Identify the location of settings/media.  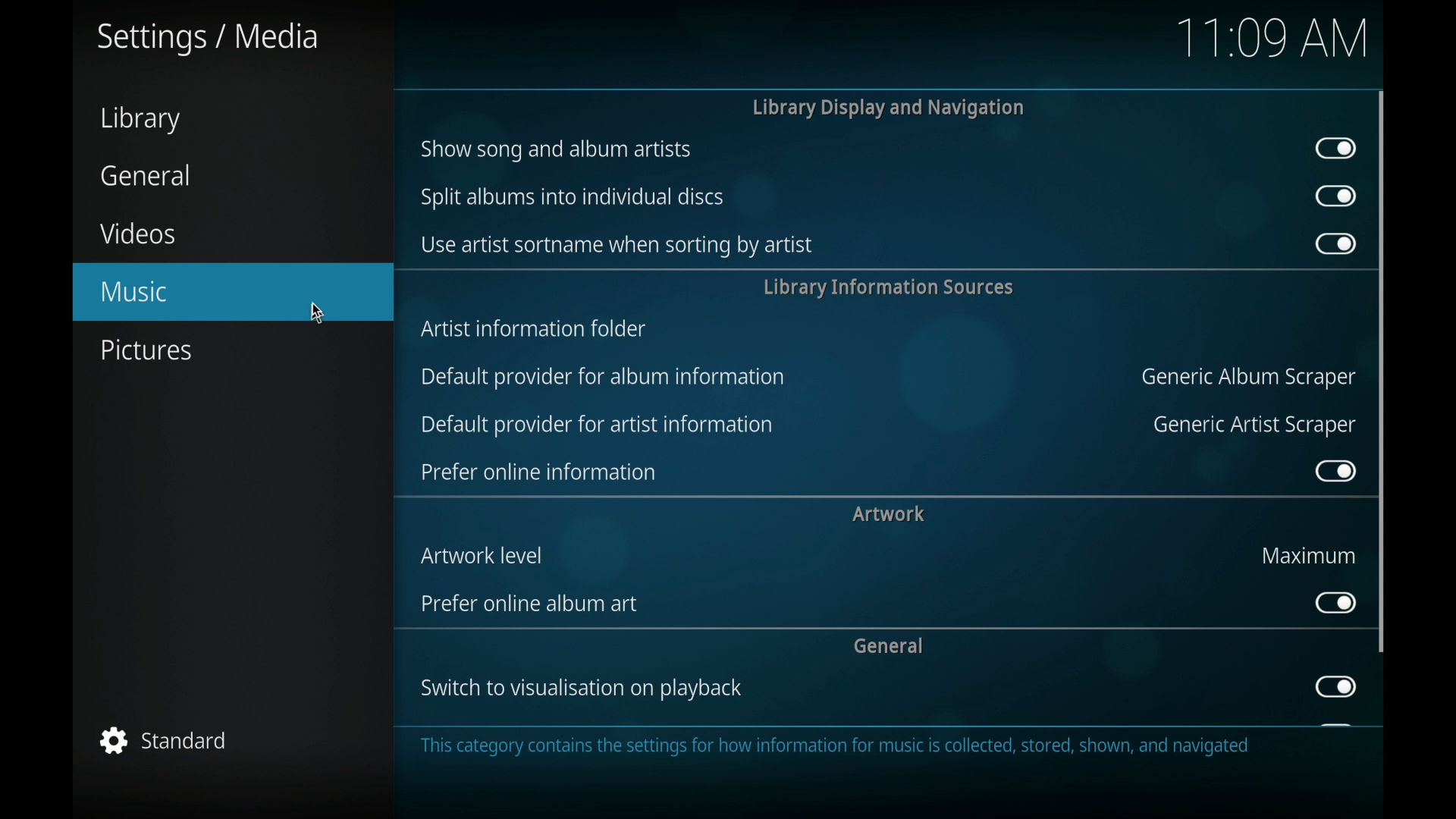
(208, 38).